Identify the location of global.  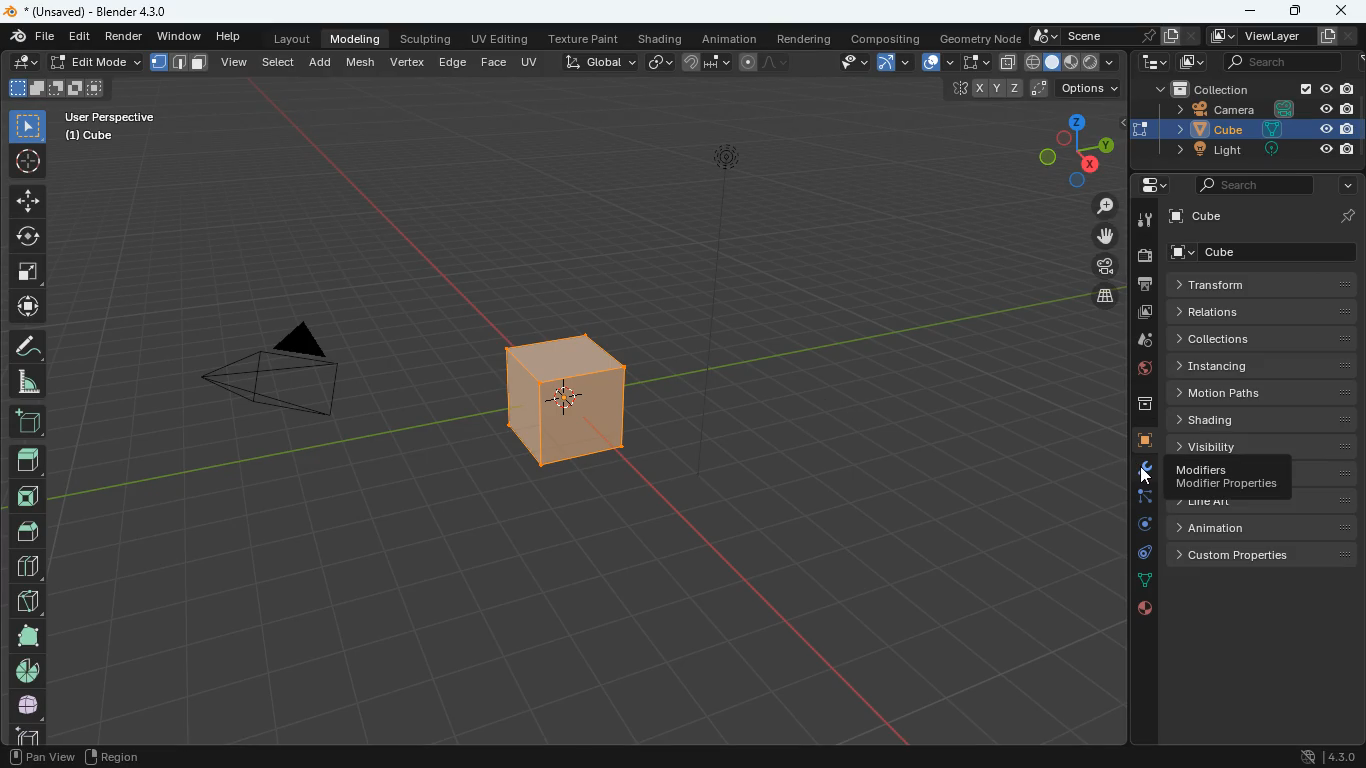
(599, 61).